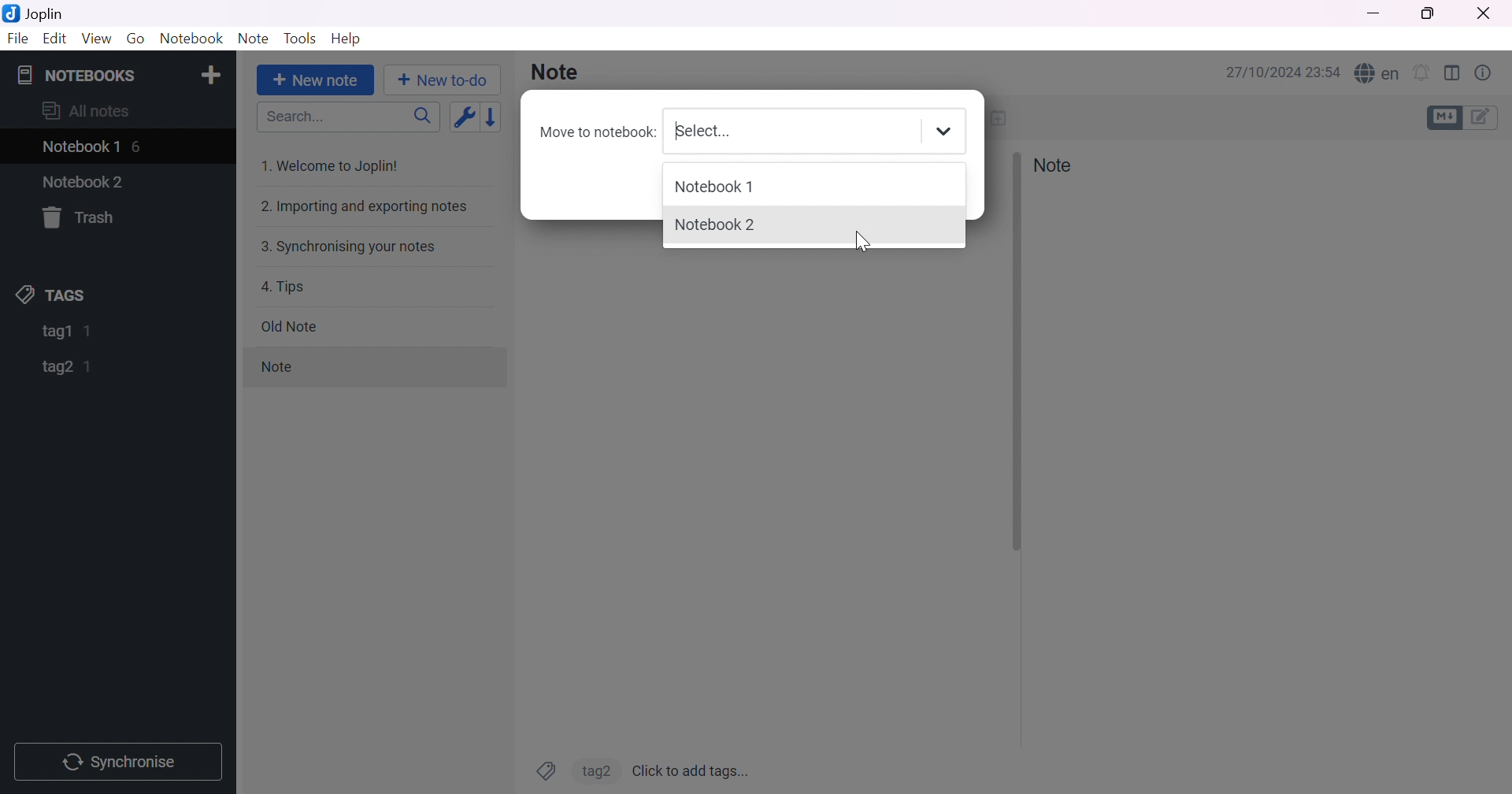  What do you see at coordinates (83, 181) in the screenshot?
I see `Notebook2` at bounding box center [83, 181].